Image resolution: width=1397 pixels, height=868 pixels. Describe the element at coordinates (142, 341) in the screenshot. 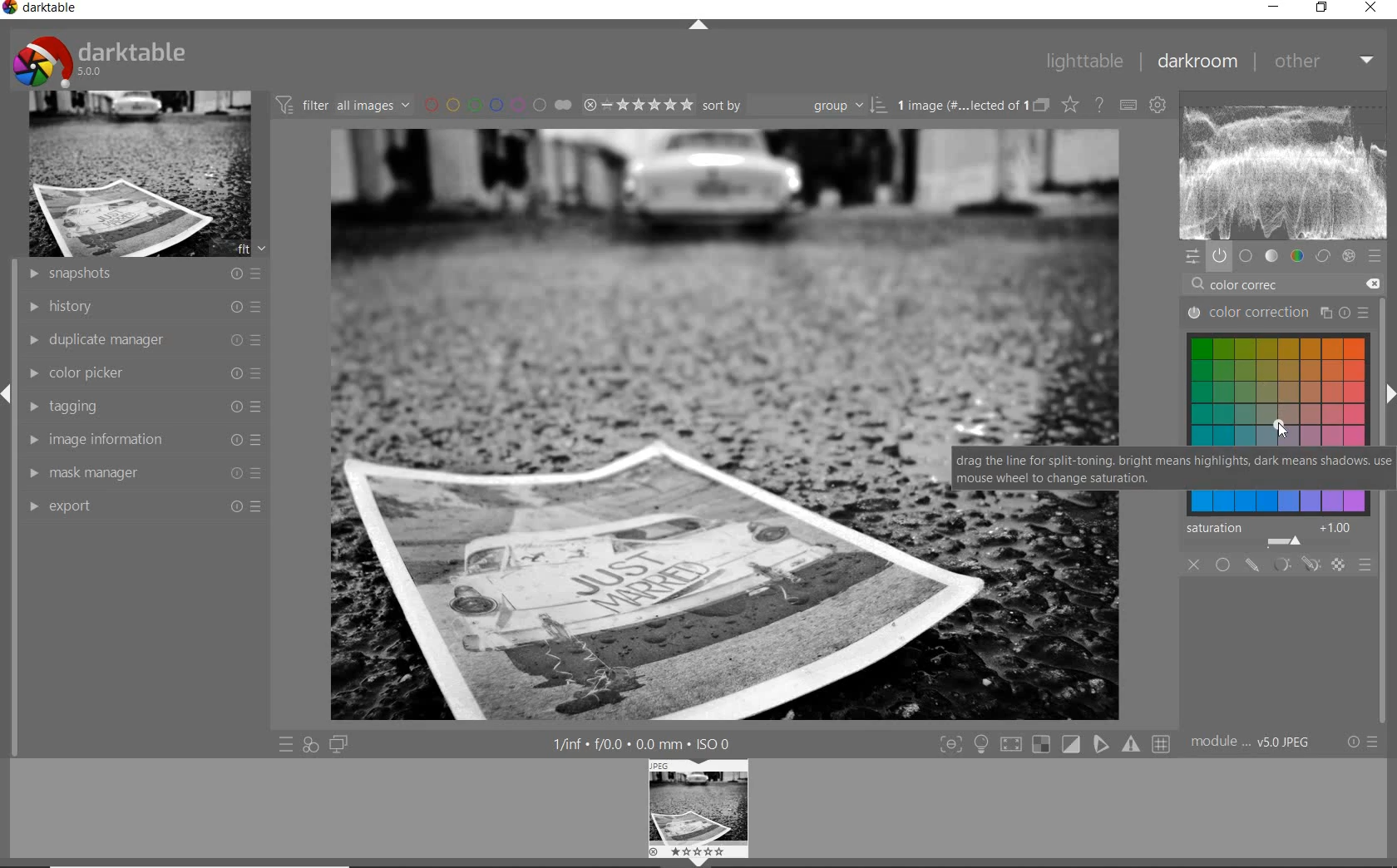

I see `duplicate manager` at that location.